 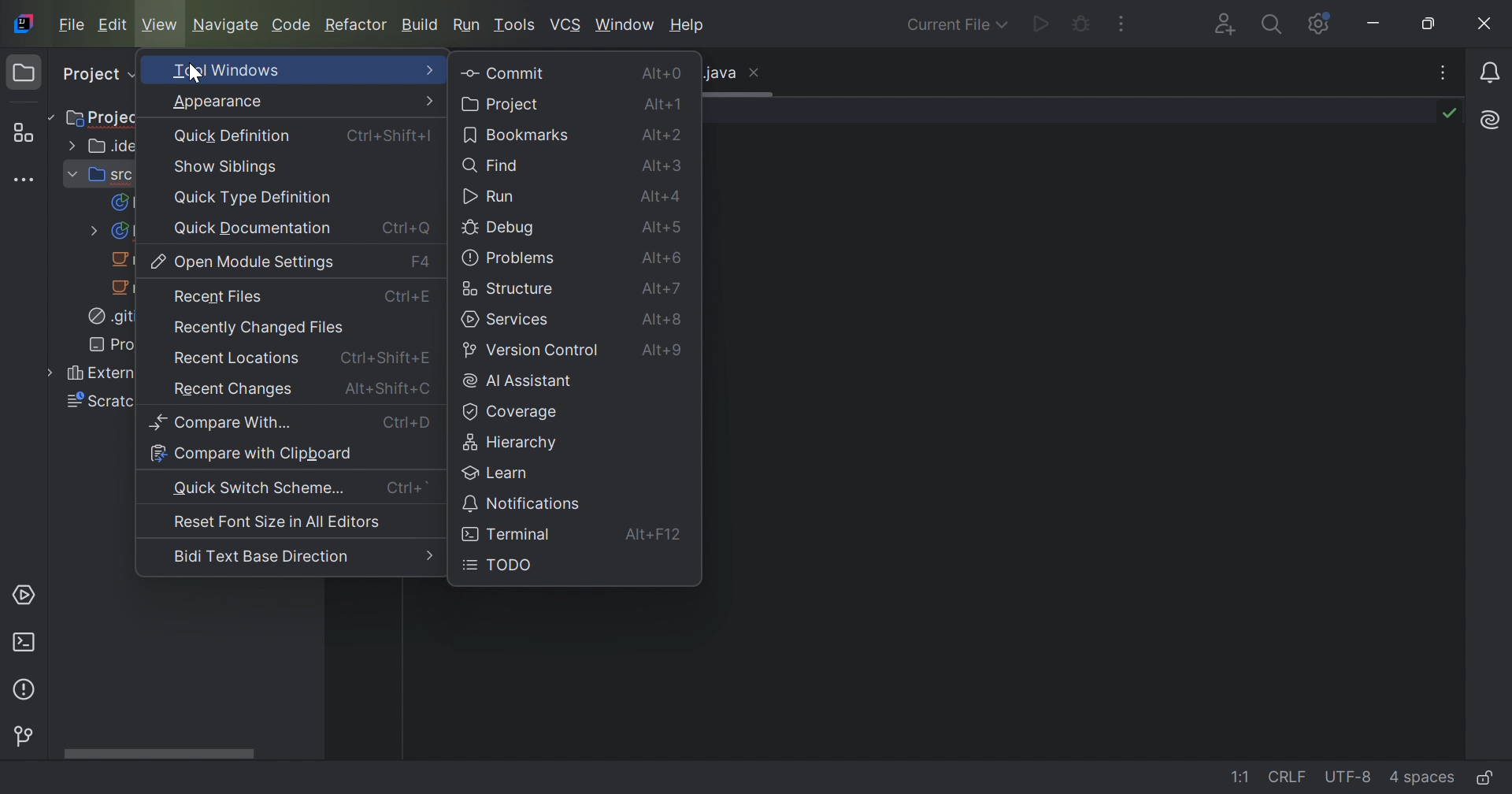 I want to click on Appearance, so click(x=218, y=102).